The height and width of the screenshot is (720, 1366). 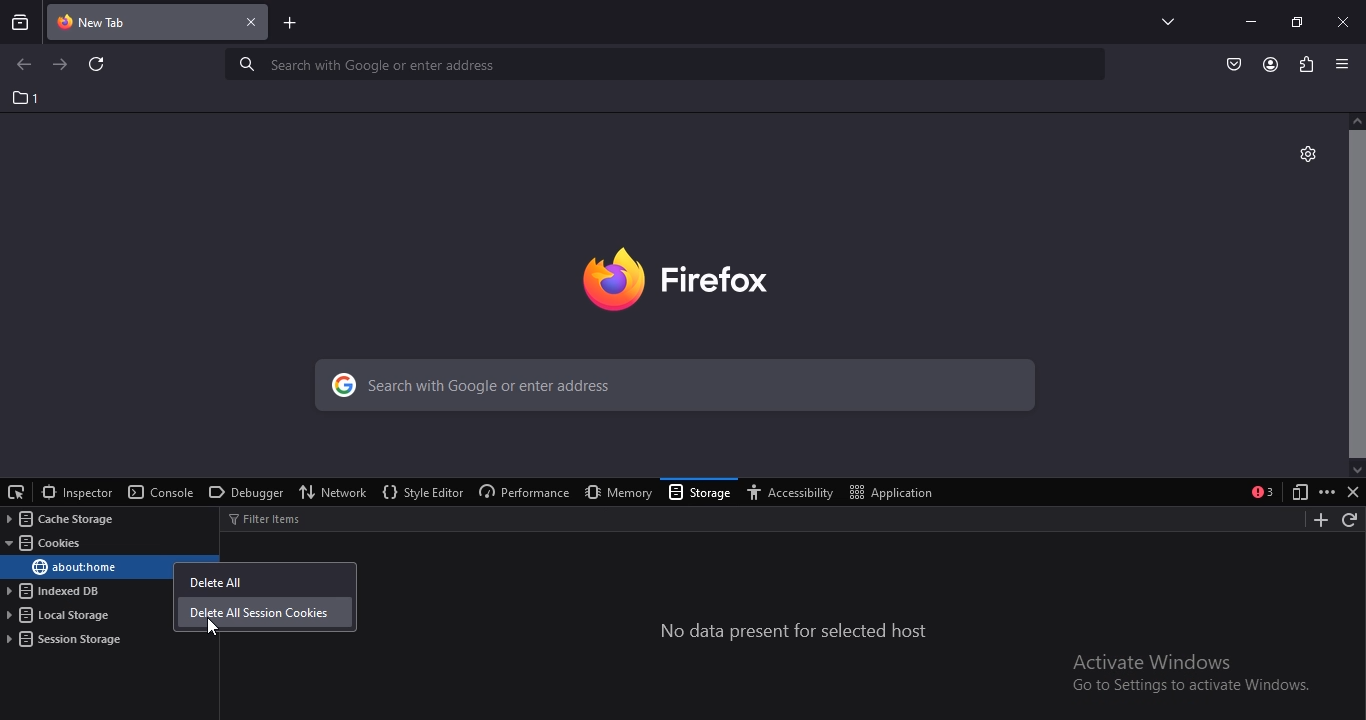 I want to click on accessibilty, so click(x=795, y=493).